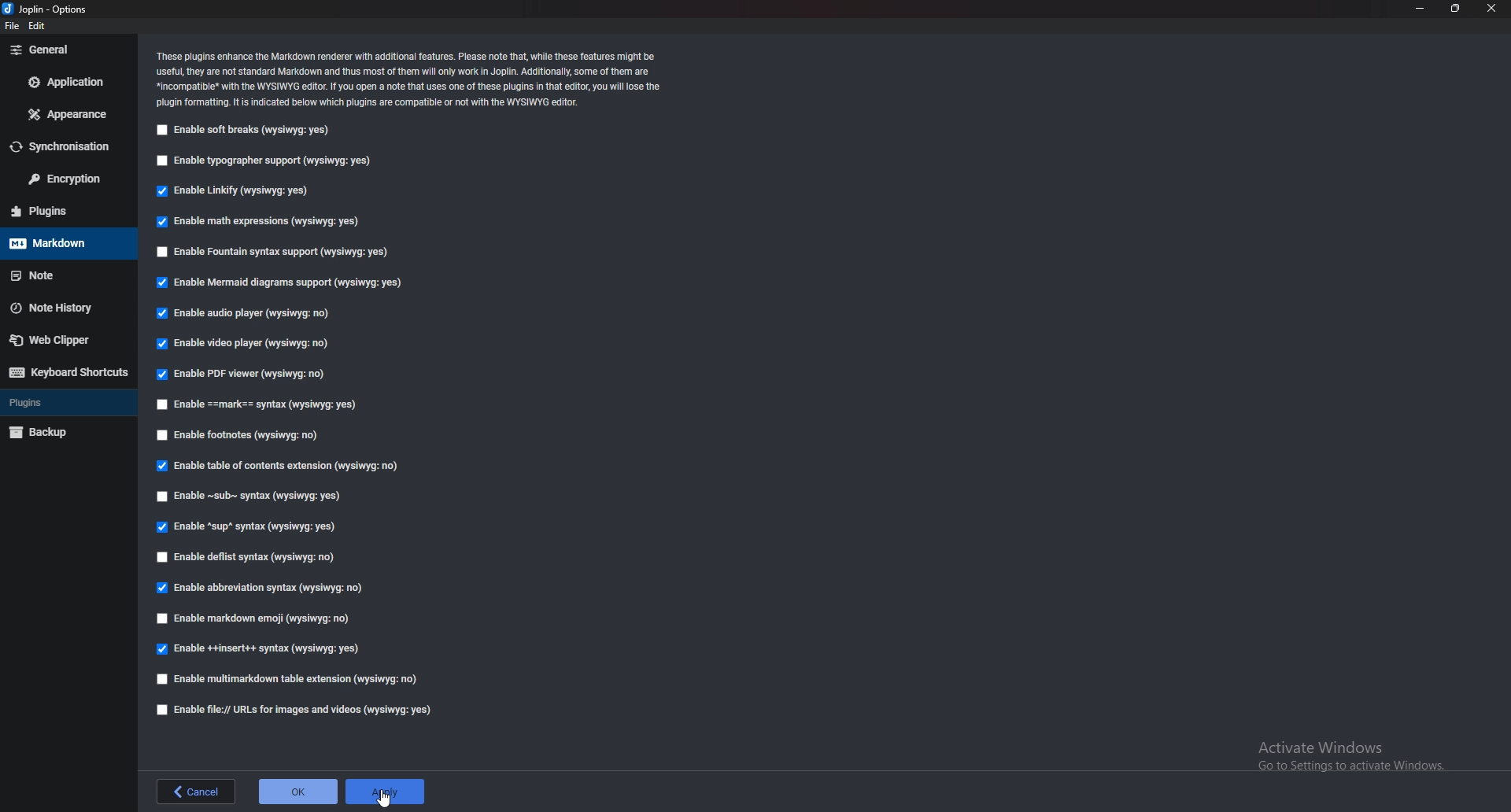 Image resolution: width=1511 pixels, height=812 pixels. Describe the element at coordinates (42, 27) in the screenshot. I see `edit` at that location.